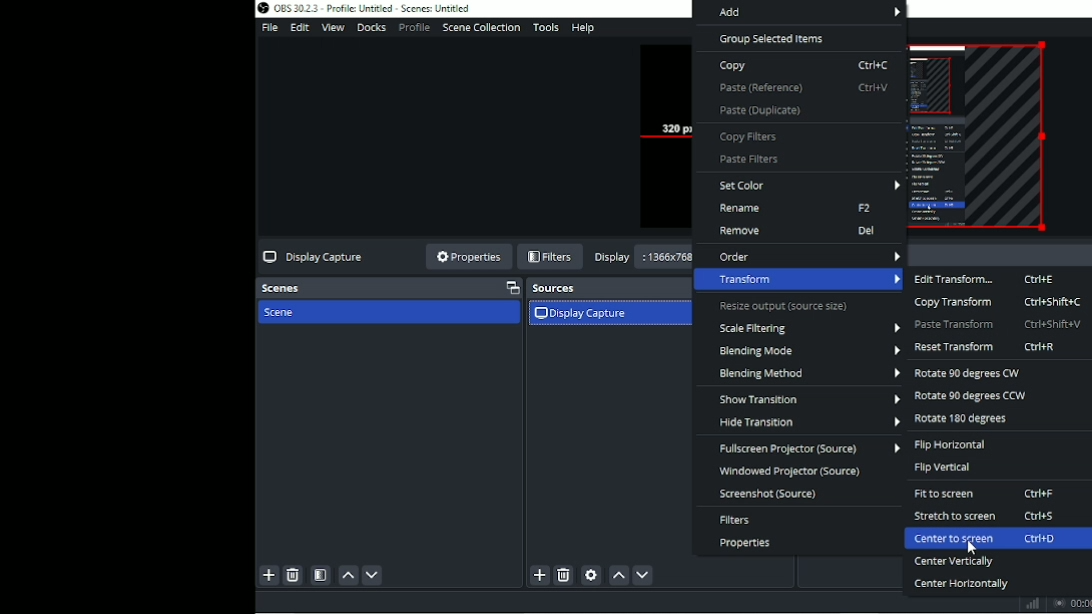  I want to click on Stretch to screen, so click(988, 516).